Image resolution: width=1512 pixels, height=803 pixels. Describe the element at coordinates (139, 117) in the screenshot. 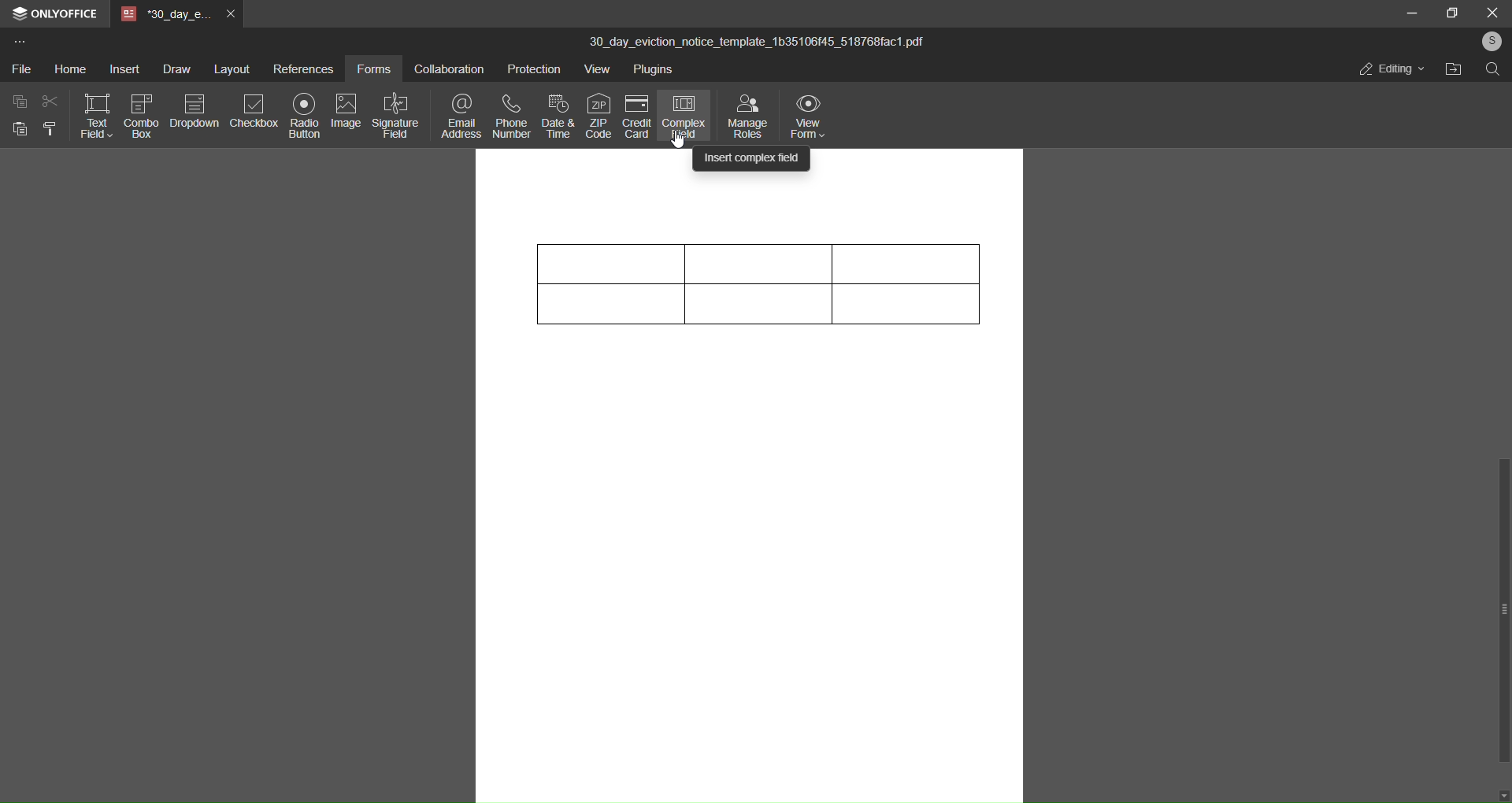

I see `combo box` at that location.